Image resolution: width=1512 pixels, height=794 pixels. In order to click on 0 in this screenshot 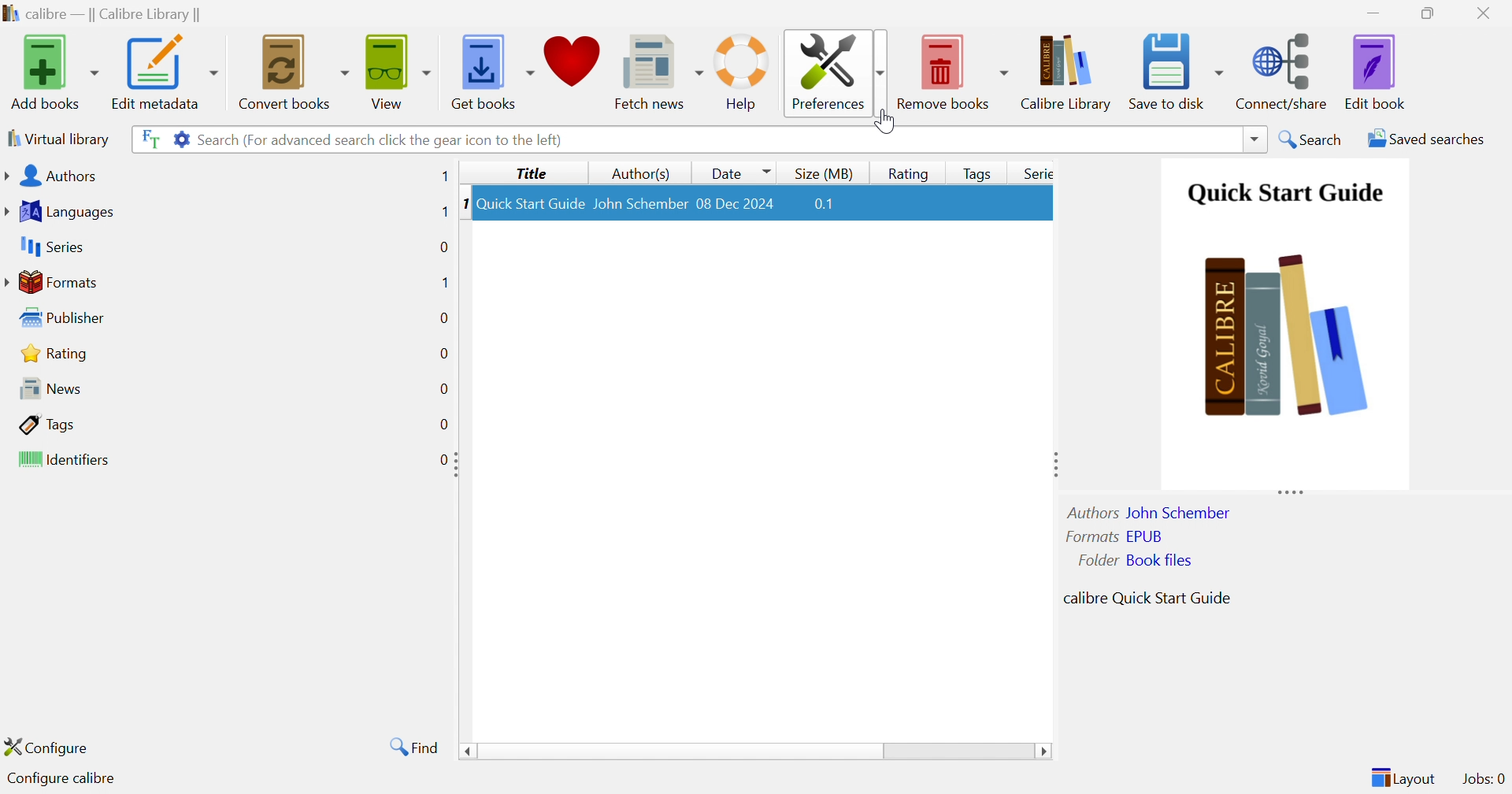, I will do `click(443, 245)`.